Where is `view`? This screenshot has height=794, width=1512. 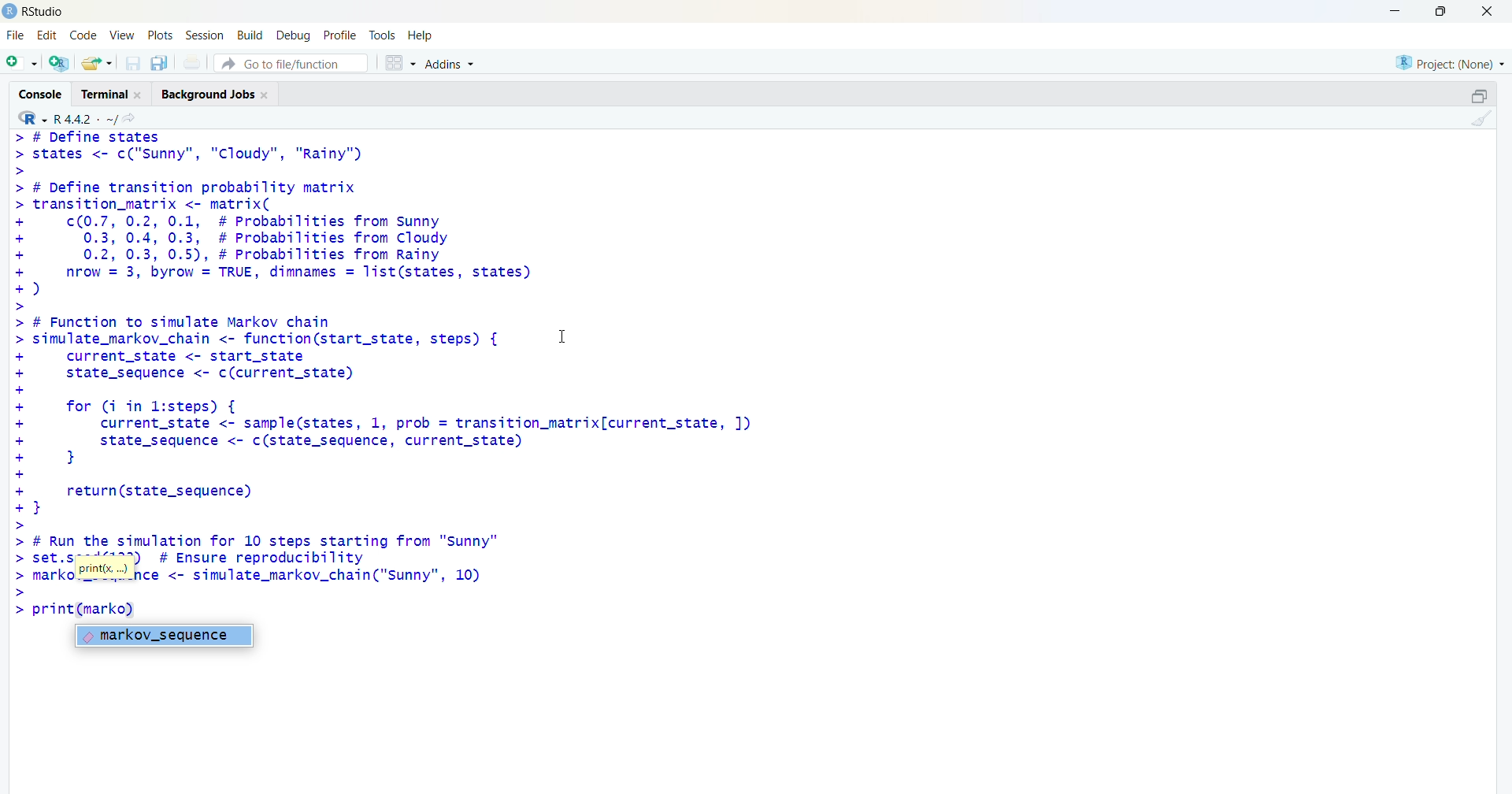 view is located at coordinates (122, 34).